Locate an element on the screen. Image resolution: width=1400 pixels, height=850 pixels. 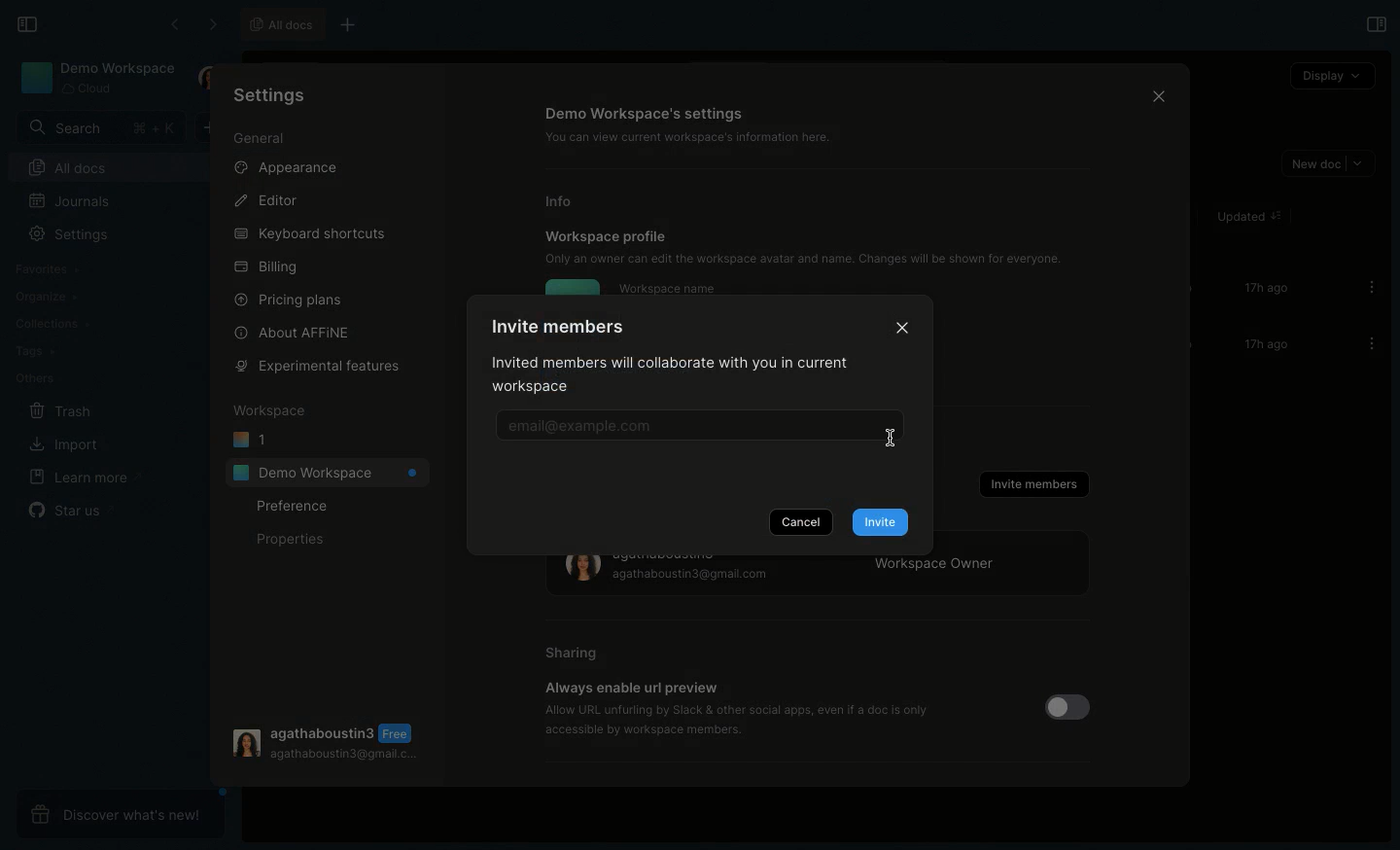
Search is located at coordinates (98, 127).